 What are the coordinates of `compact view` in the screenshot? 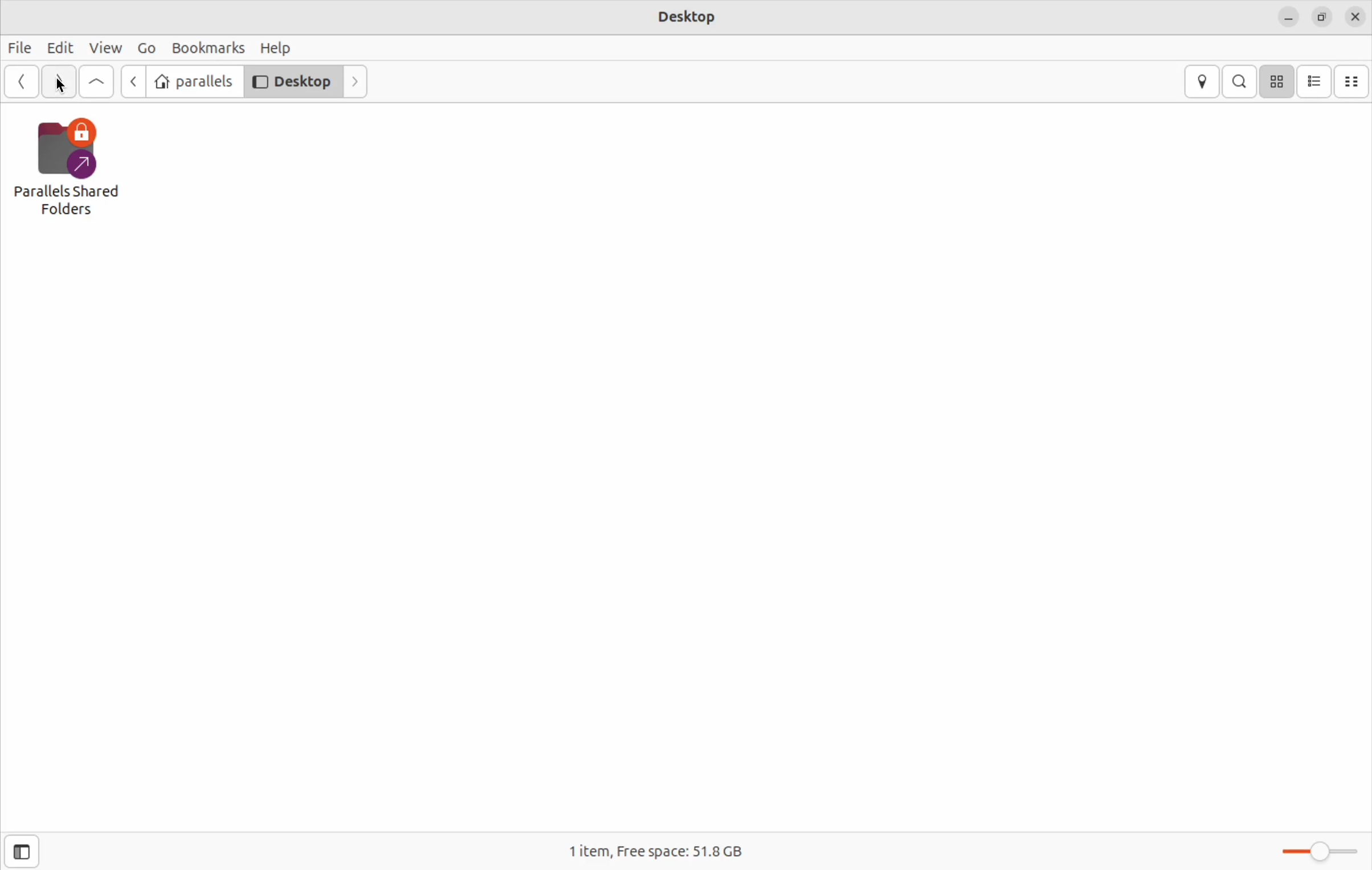 It's located at (1355, 82).